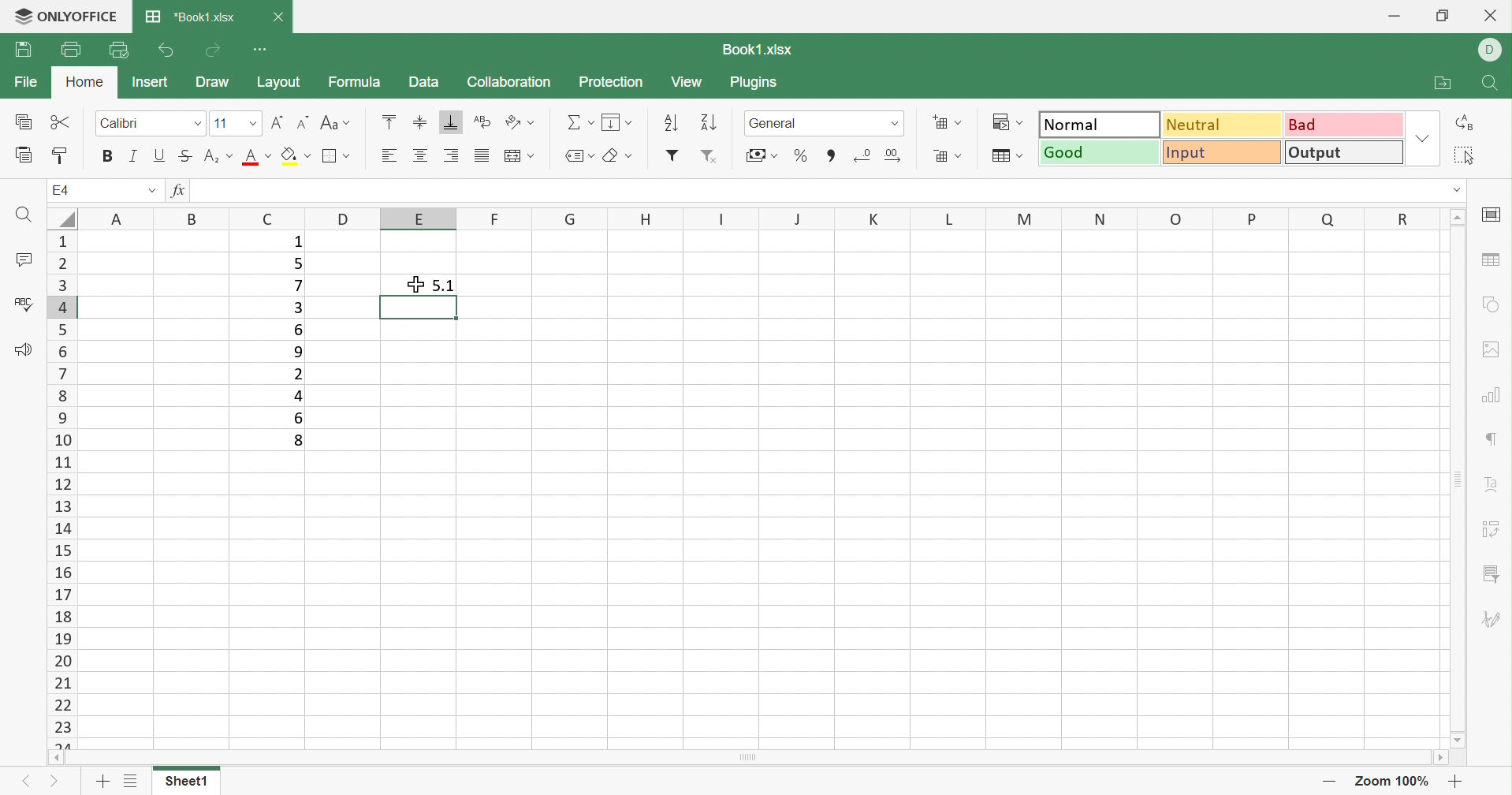 The image size is (1512, 795). What do you see at coordinates (1446, 15) in the screenshot?
I see `Restore Down` at bounding box center [1446, 15].